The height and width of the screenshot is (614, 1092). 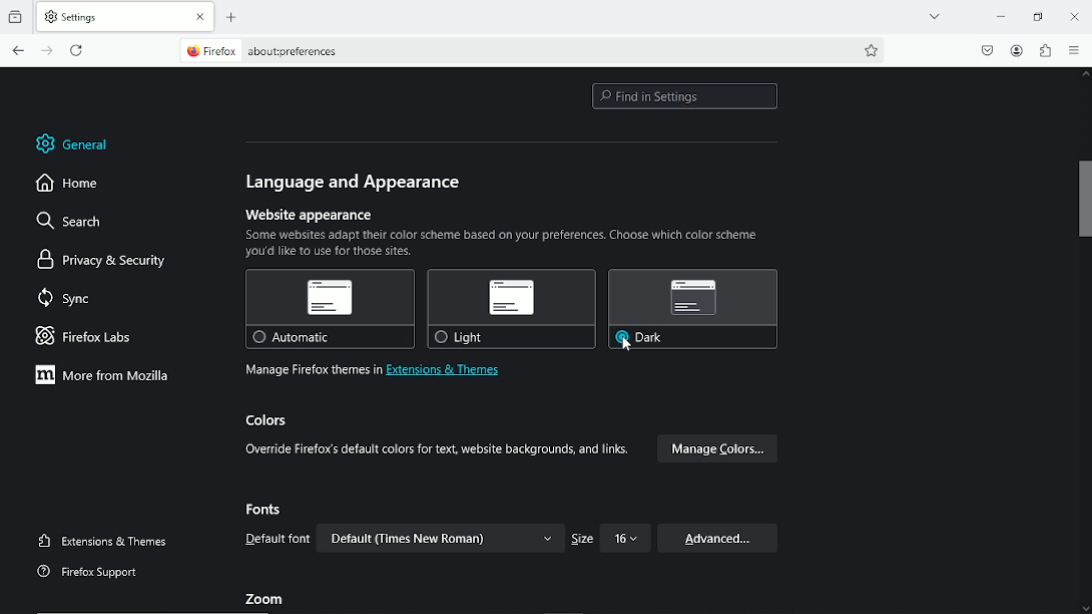 I want to click on open applications menu, so click(x=1074, y=51).